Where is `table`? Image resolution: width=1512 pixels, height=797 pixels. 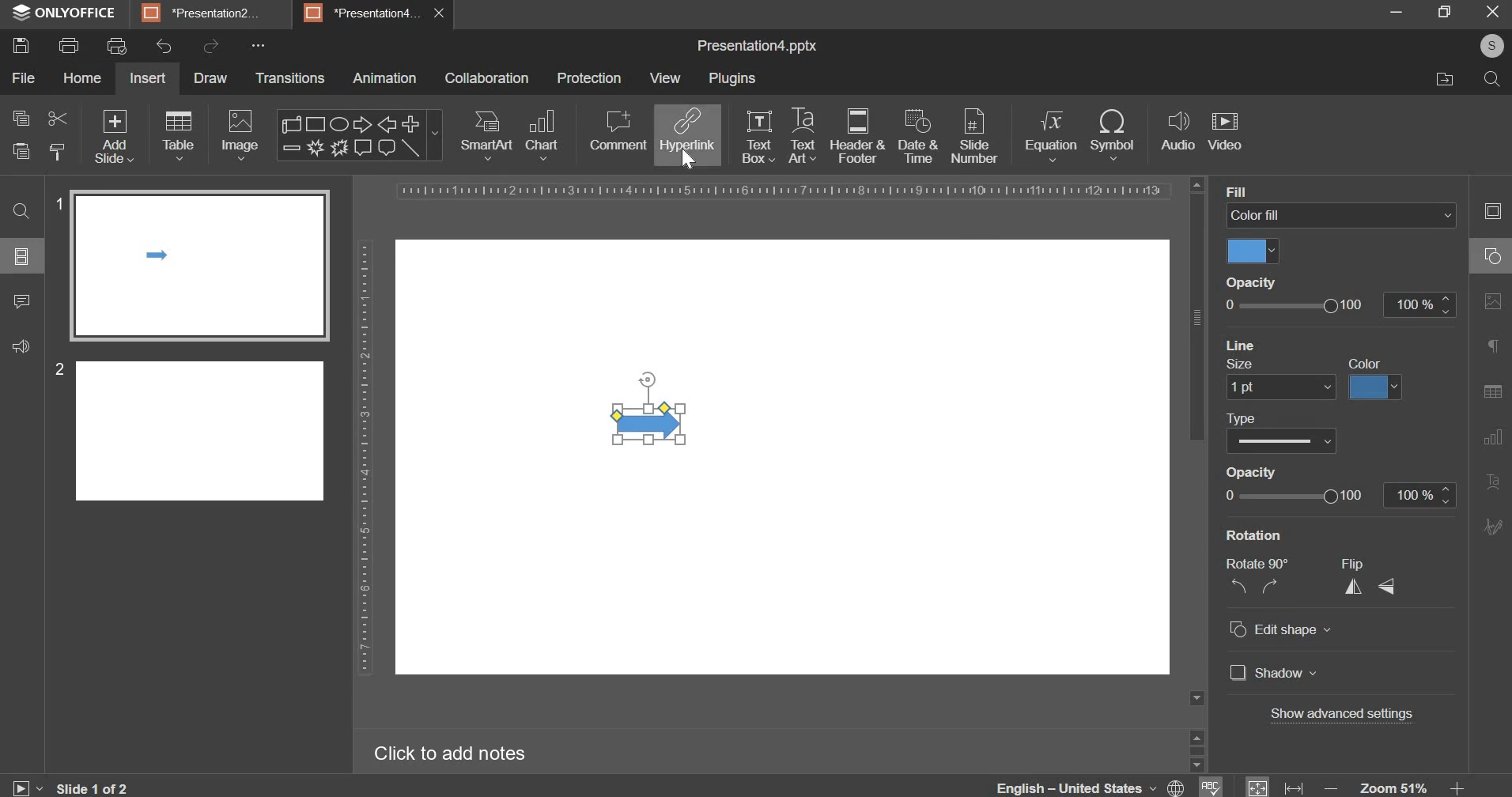
table is located at coordinates (179, 137).